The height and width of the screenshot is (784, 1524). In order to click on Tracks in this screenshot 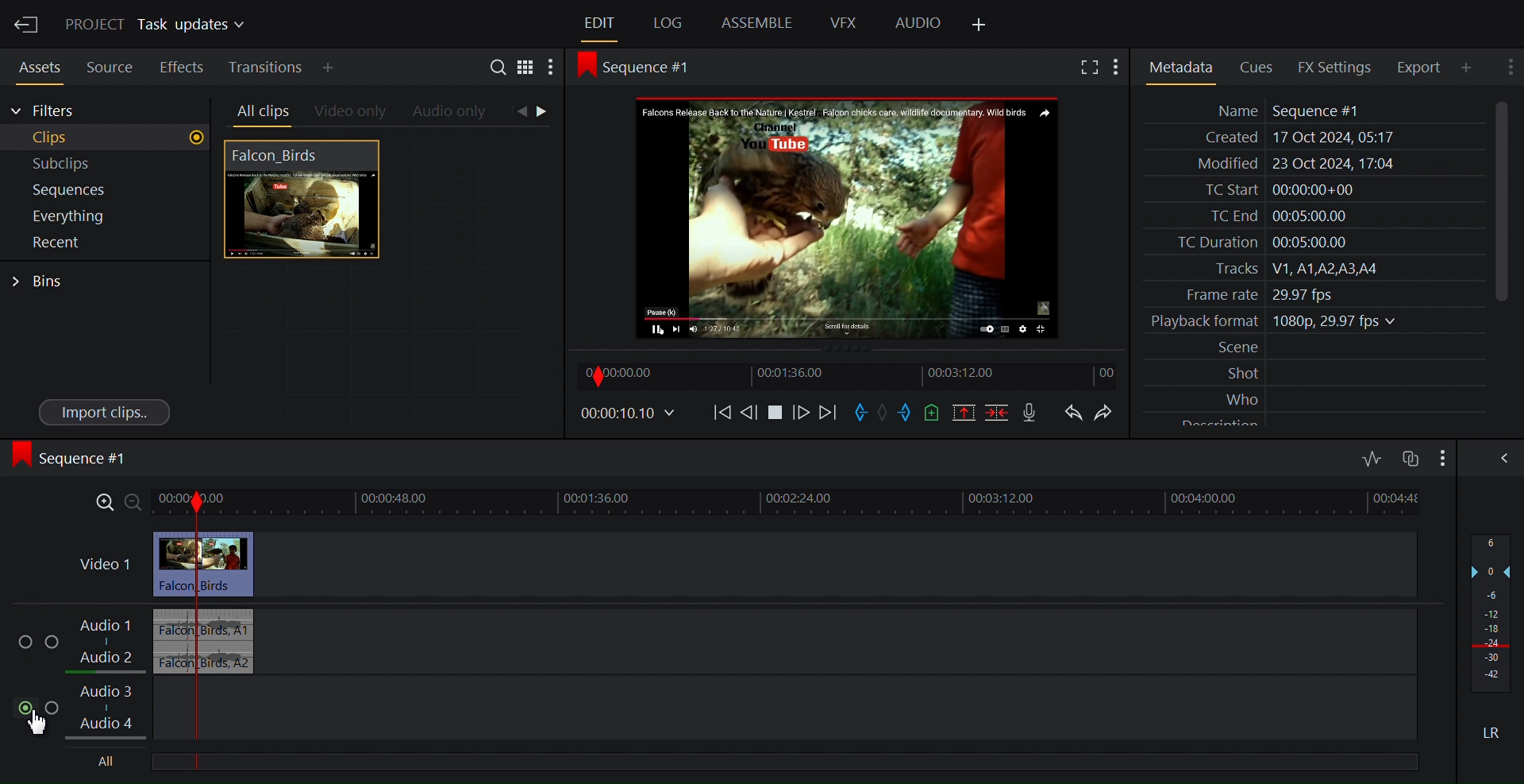, I will do `click(1312, 269)`.